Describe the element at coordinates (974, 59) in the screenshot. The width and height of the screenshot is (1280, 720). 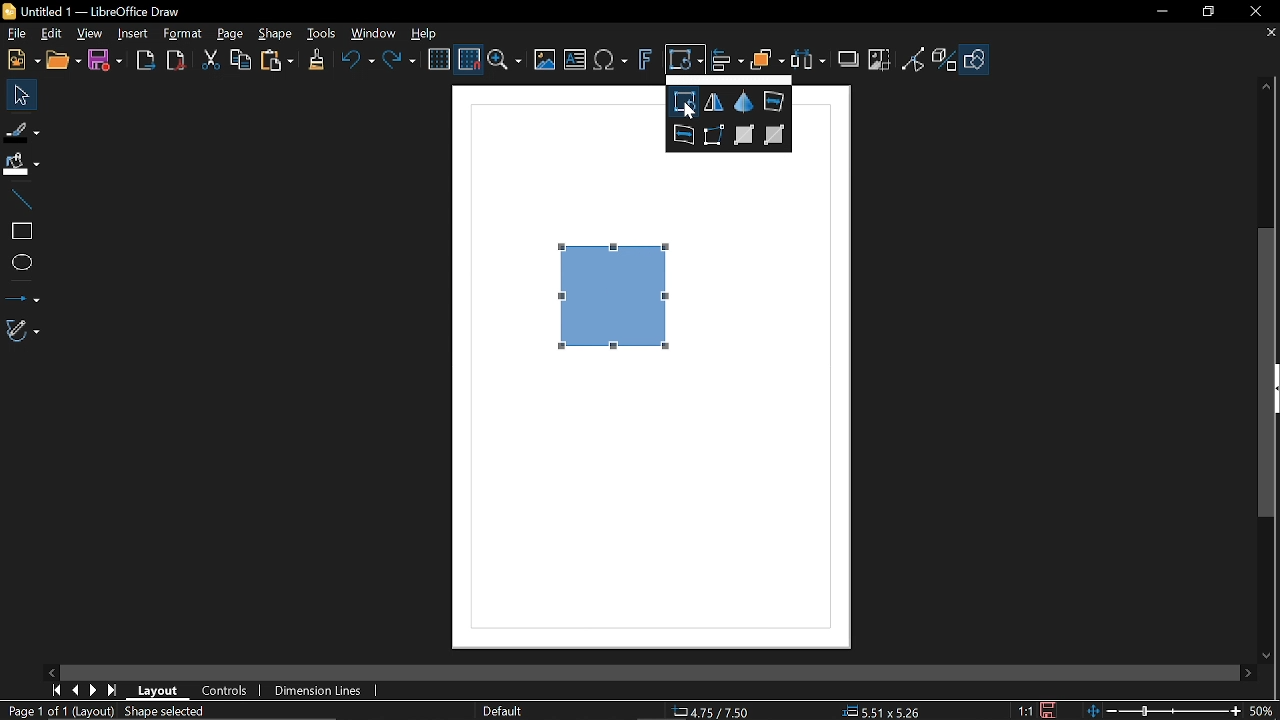
I see `Shapes` at that location.